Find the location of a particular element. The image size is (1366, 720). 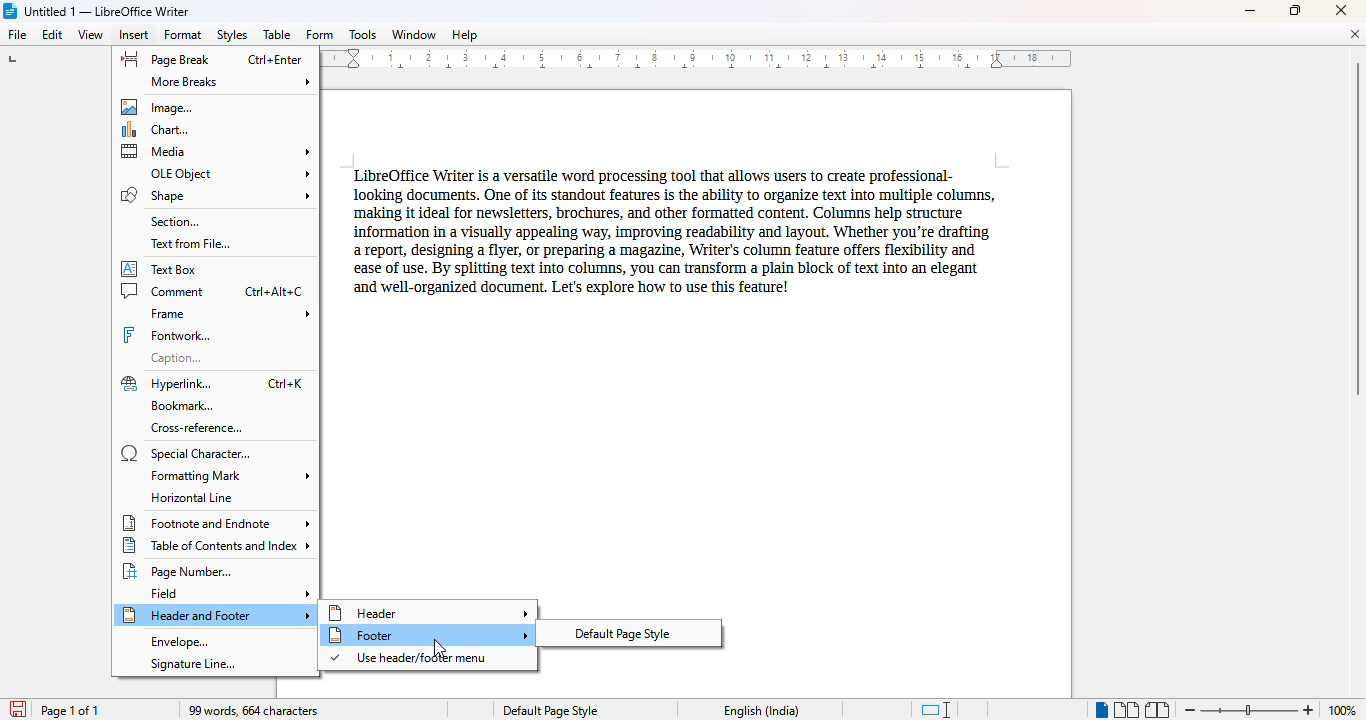

table of contents and index is located at coordinates (218, 545).